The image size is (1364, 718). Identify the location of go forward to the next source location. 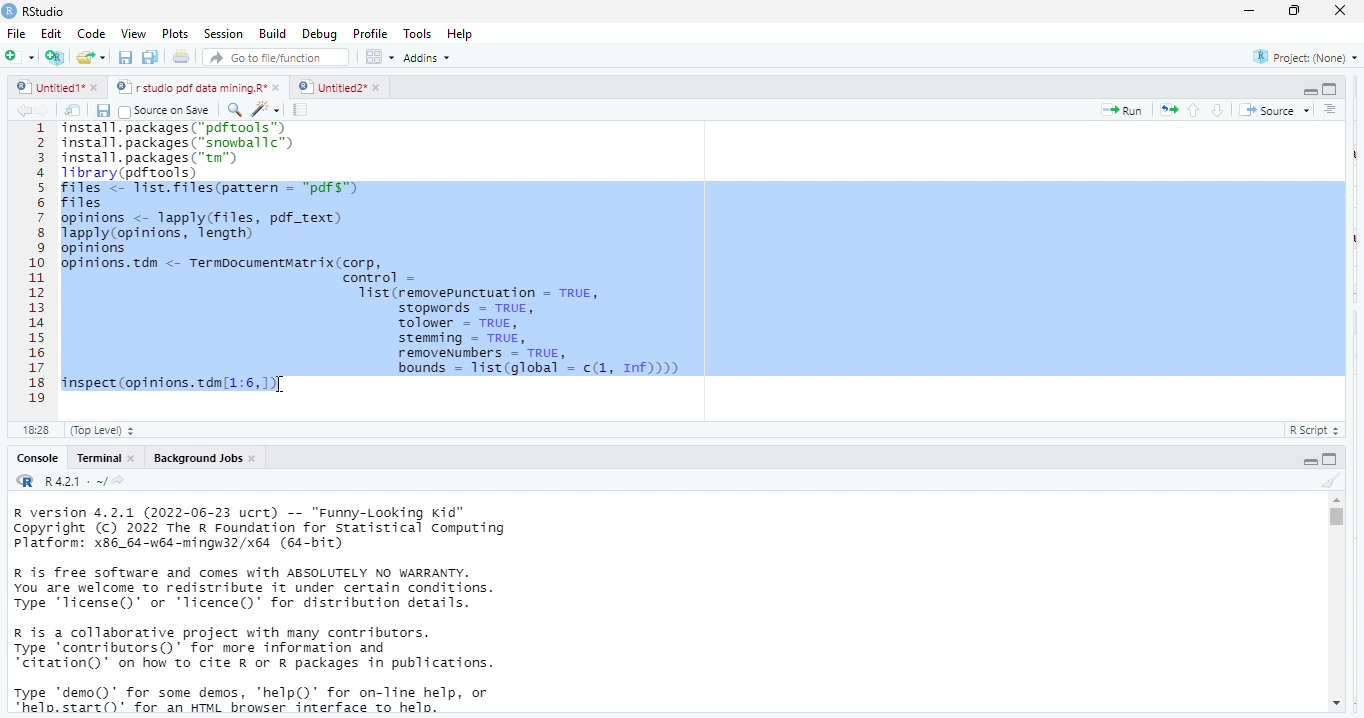
(47, 110).